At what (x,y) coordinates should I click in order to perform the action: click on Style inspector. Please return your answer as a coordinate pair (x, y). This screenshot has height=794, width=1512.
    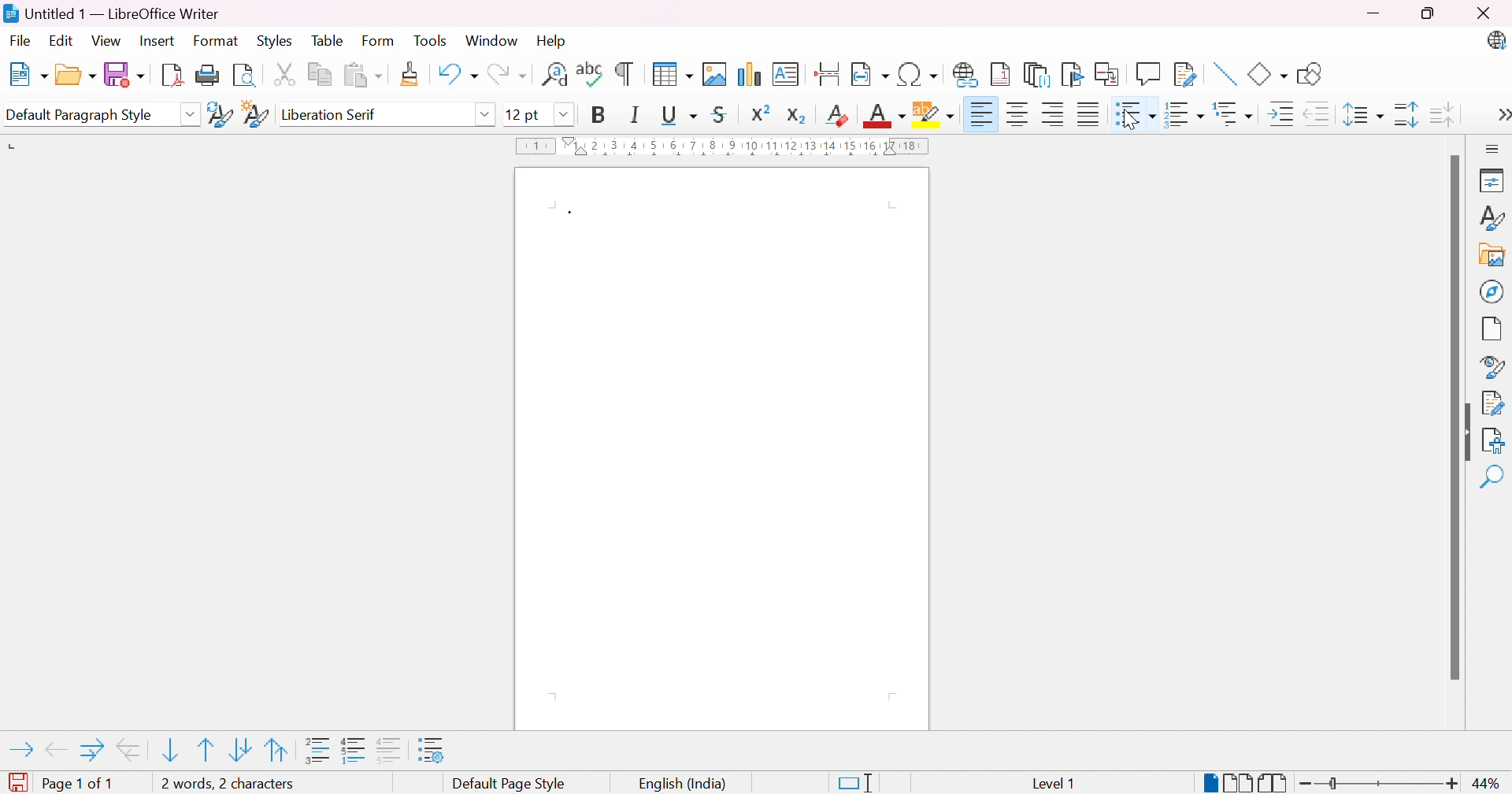
    Looking at the image, I should click on (1489, 365).